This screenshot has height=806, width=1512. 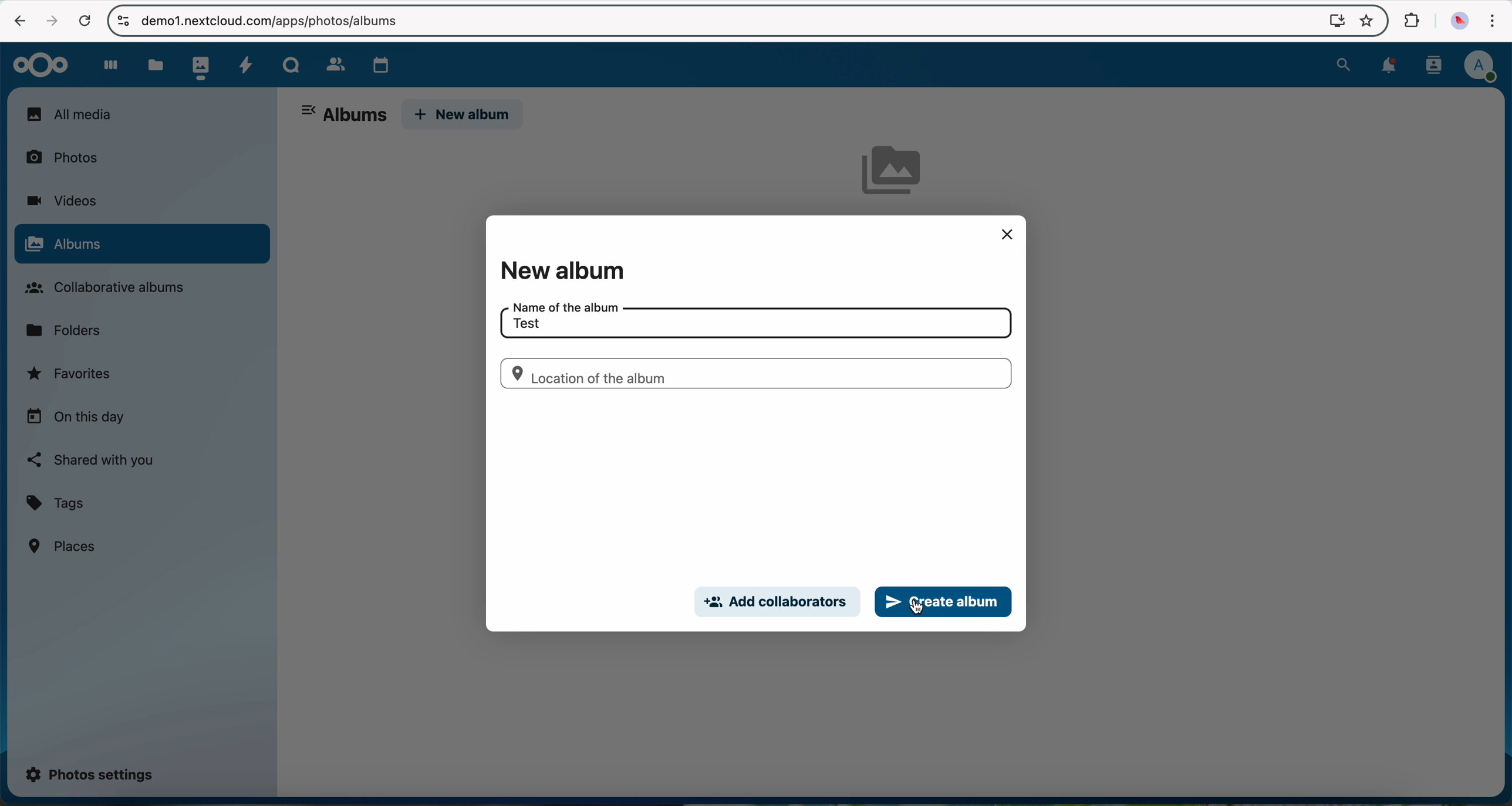 I want to click on hide sidebar, so click(x=310, y=112).